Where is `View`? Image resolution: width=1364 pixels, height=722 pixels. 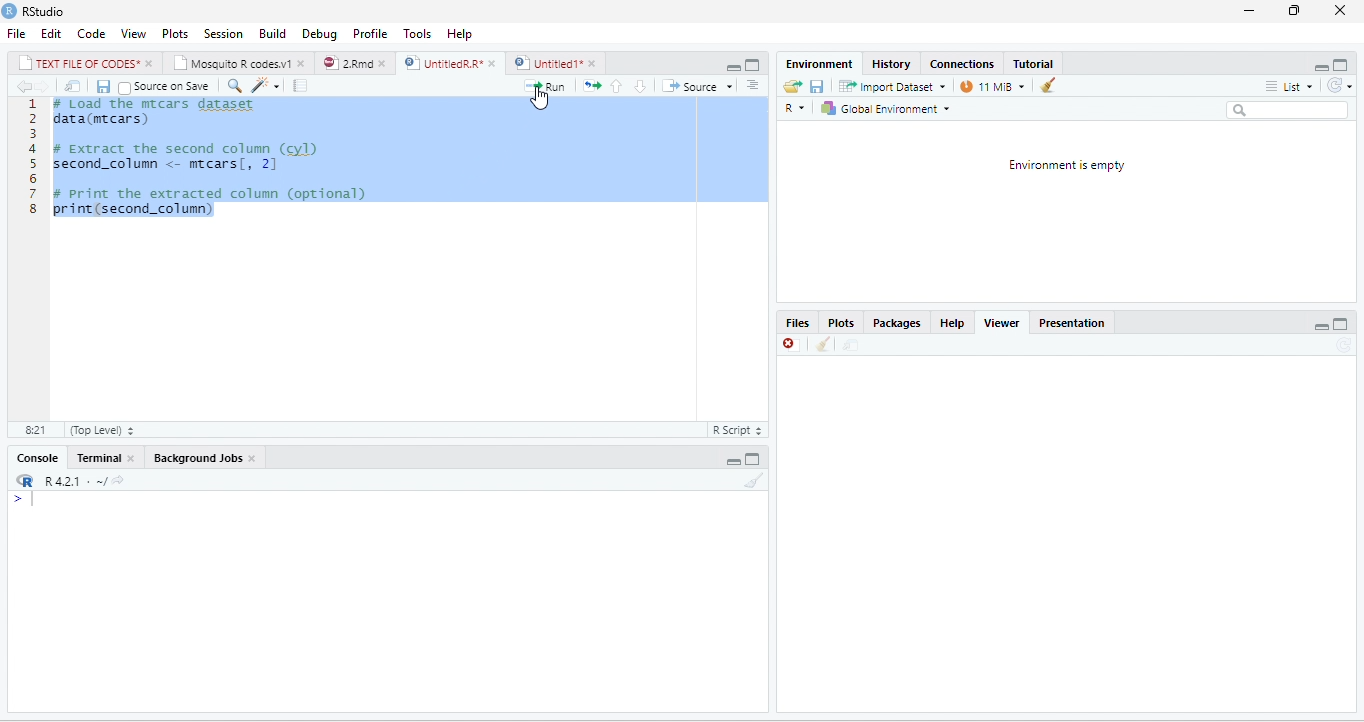 View is located at coordinates (134, 32).